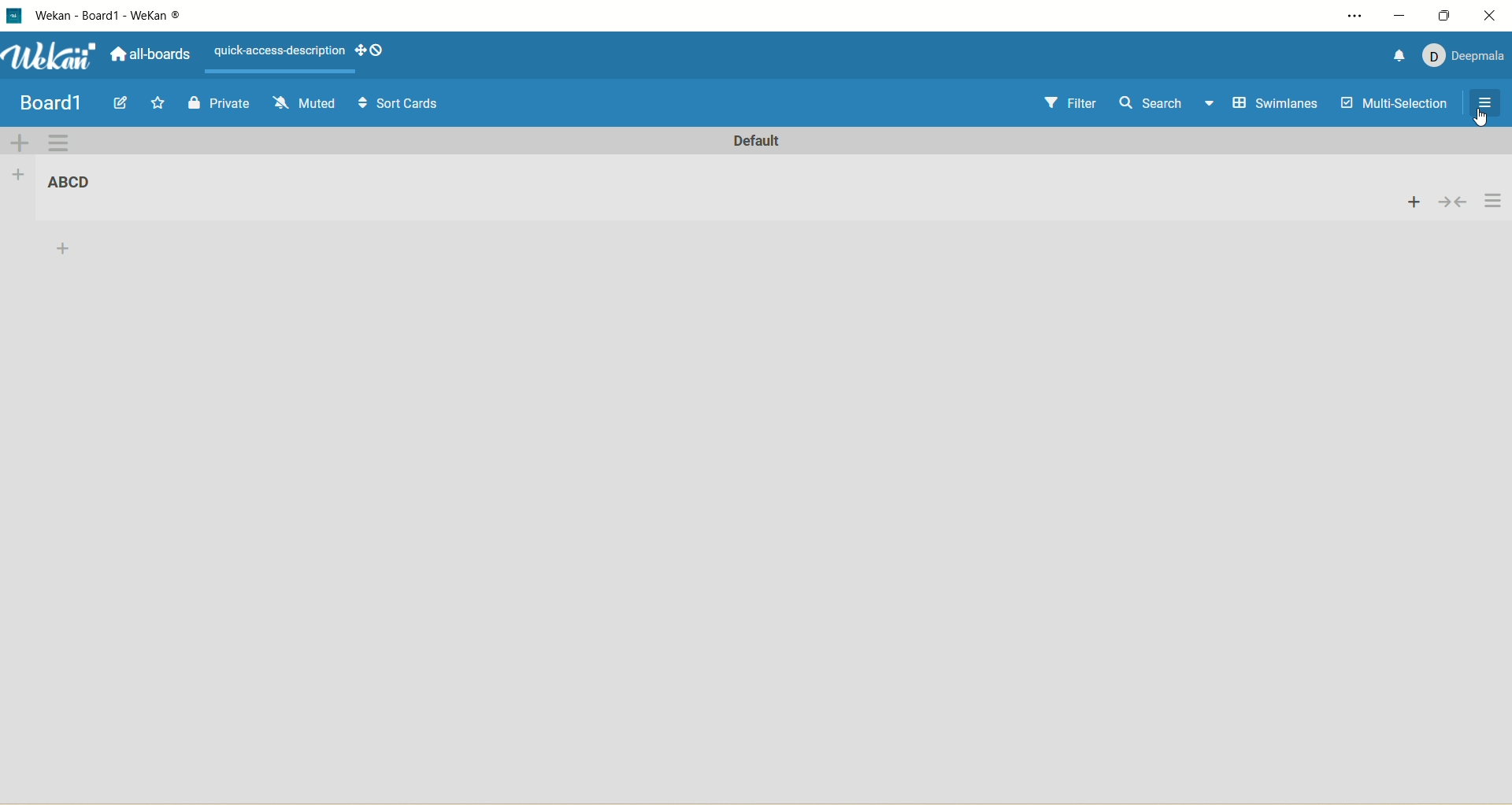 This screenshot has width=1512, height=805. I want to click on default, so click(755, 143).